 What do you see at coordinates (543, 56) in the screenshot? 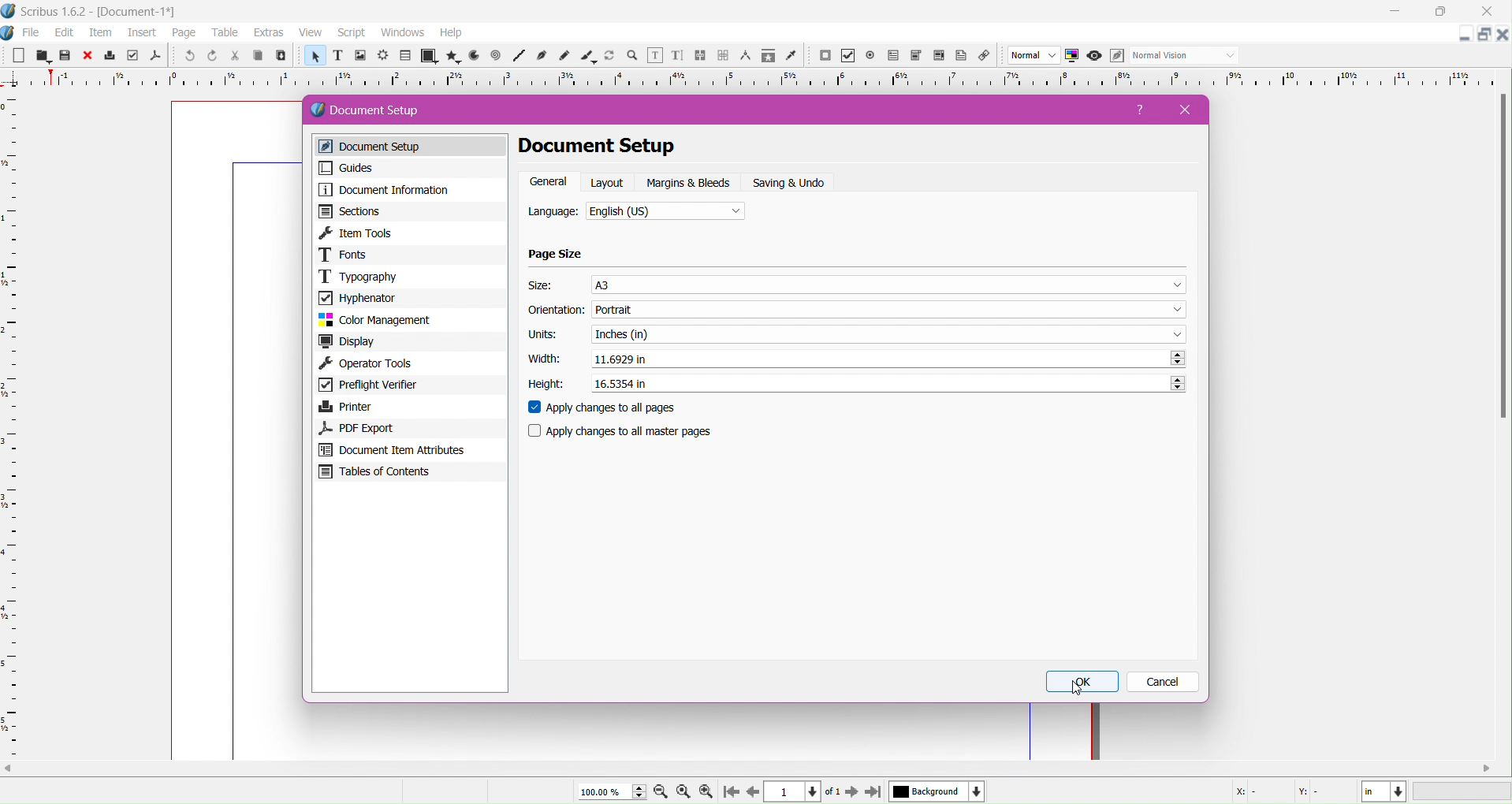
I see `bezier curve` at bounding box center [543, 56].